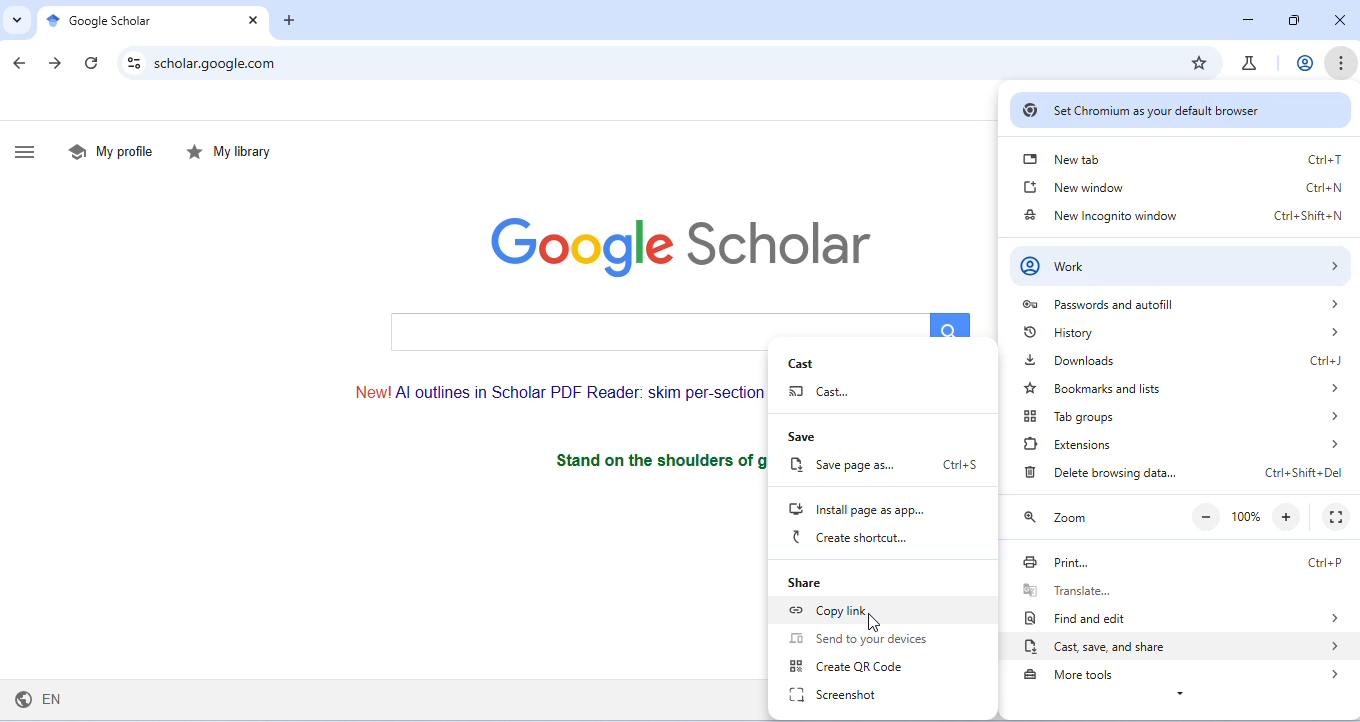  What do you see at coordinates (1289, 517) in the screenshot?
I see `zoom in` at bounding box center [1289, 517].